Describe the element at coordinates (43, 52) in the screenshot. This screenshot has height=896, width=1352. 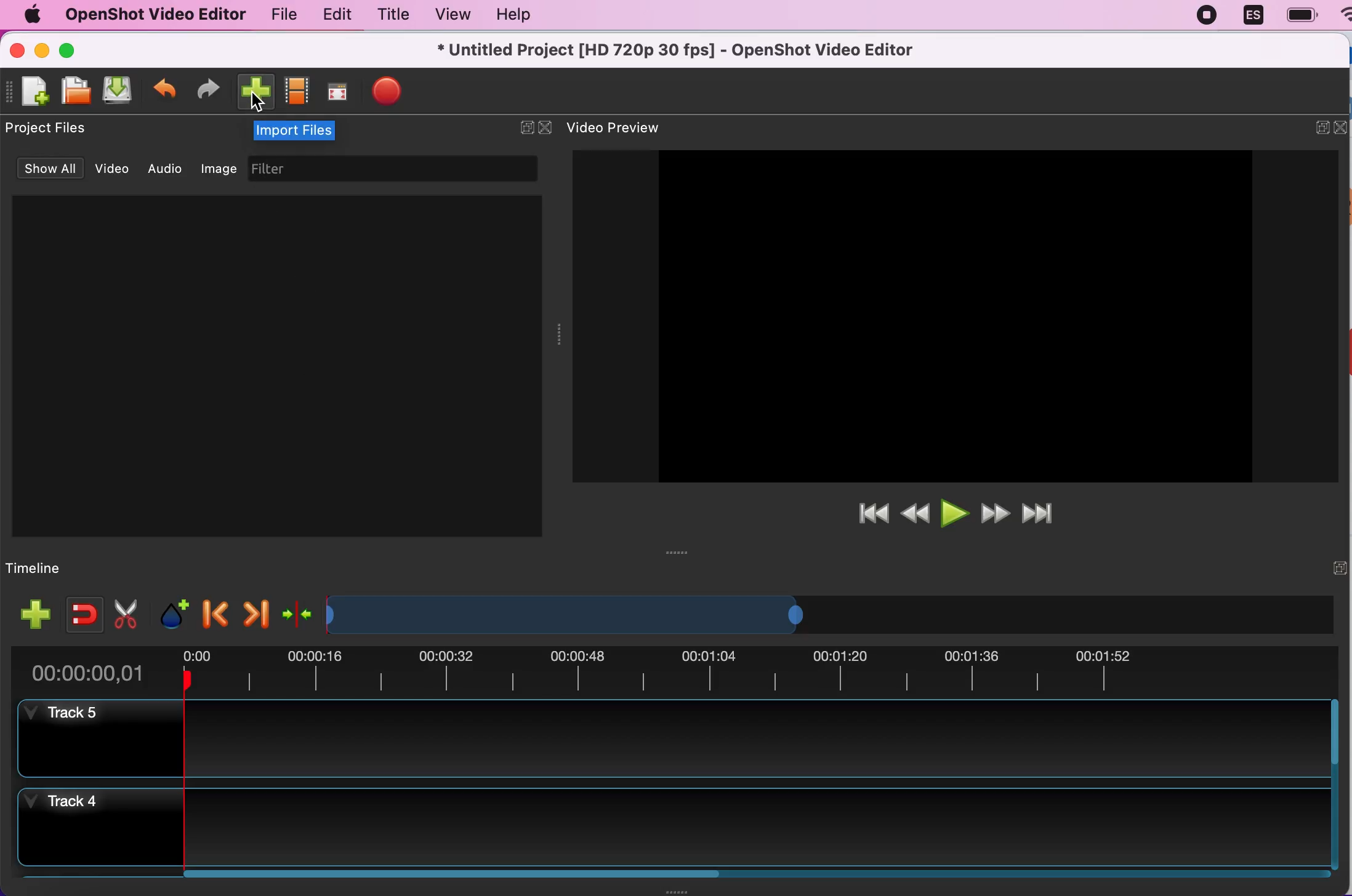
I see `minimize` at that location.